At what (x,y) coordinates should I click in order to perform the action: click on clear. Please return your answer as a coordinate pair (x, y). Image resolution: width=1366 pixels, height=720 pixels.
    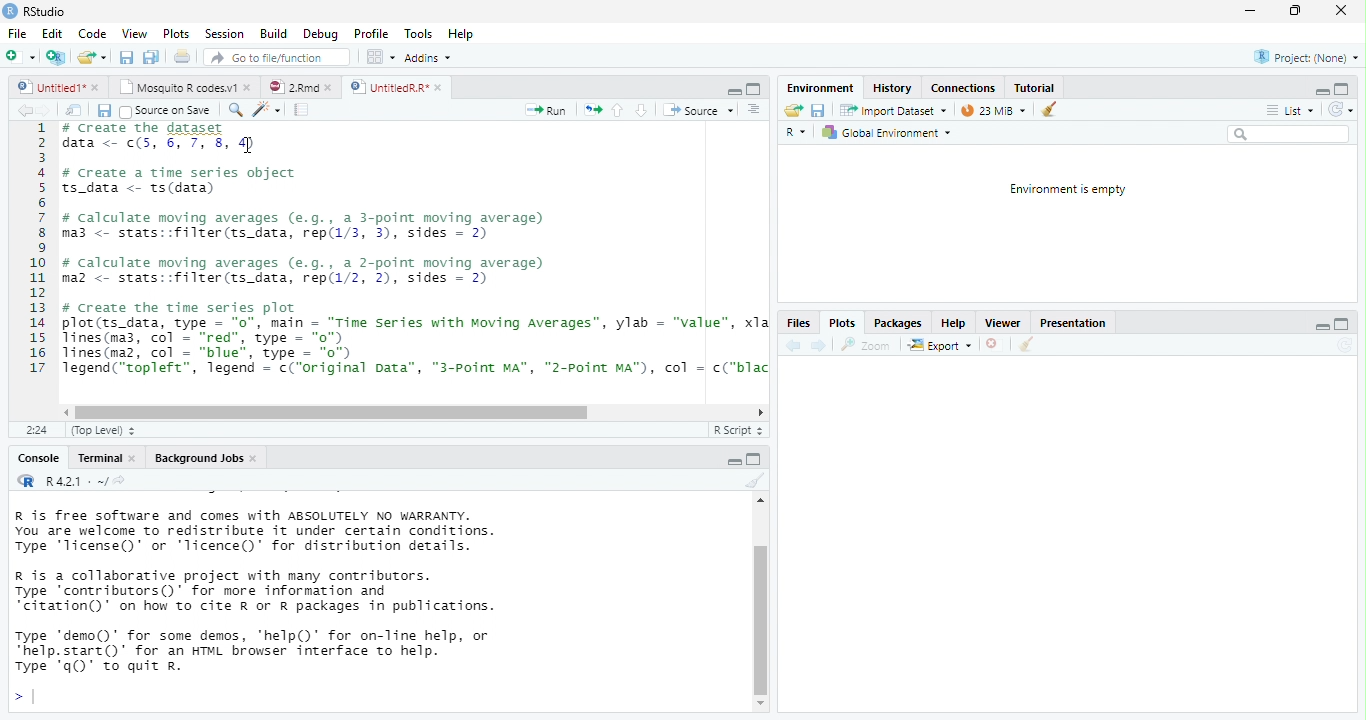
    Looking at the image, I should click on (1025, 346).